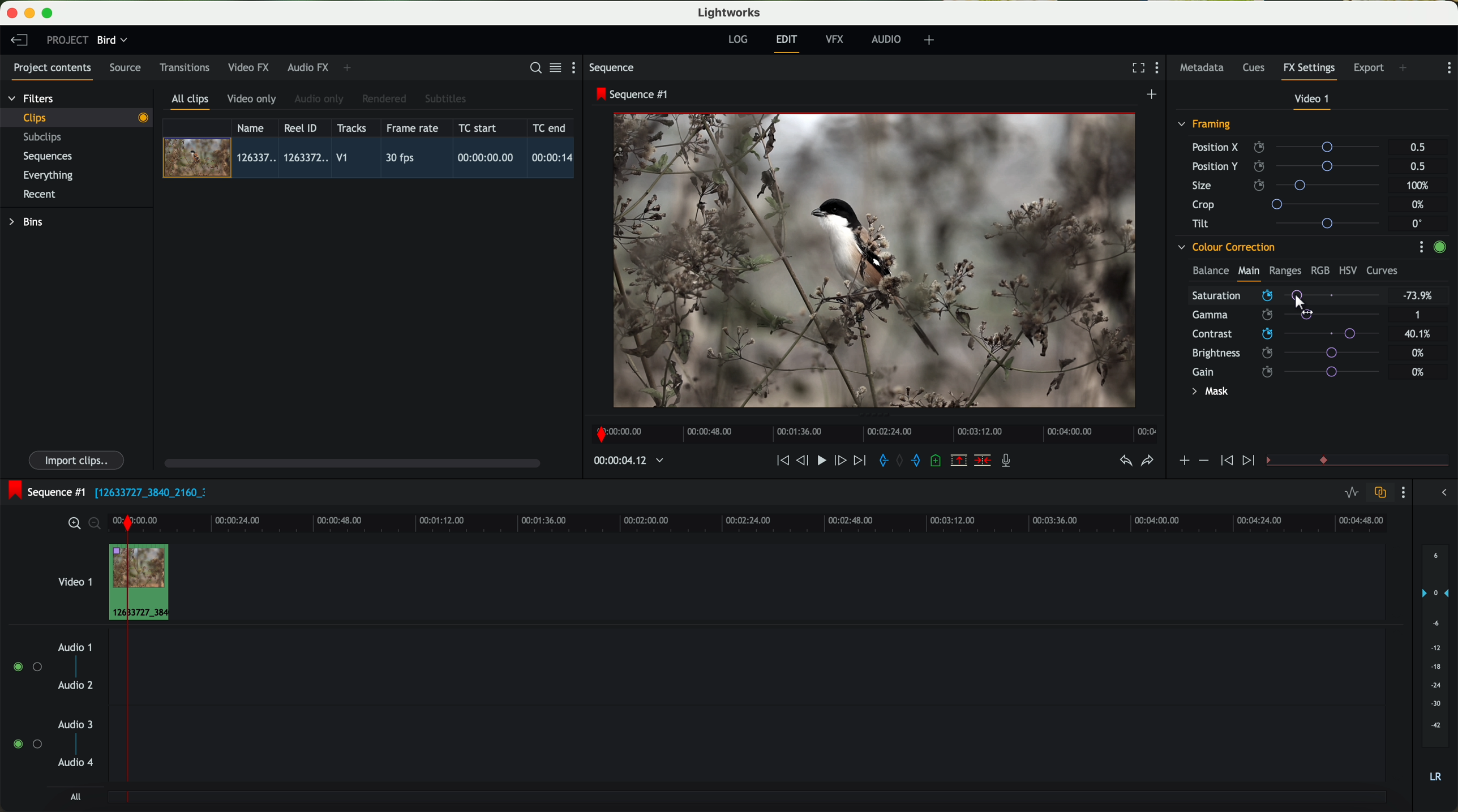  What do you see at coordinates (76, 686) in the screenshot?
I see `audio 2` at bounding box center [76, 686].